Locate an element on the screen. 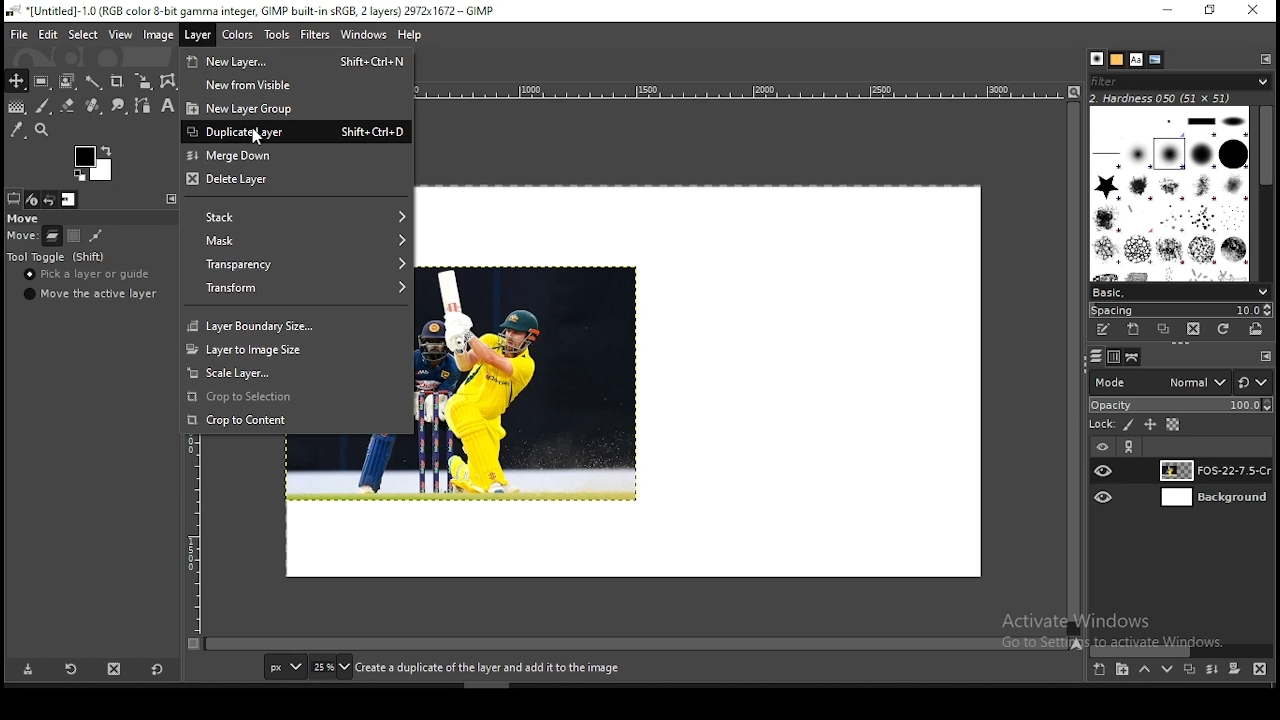 The width and height of the screenshot is (1280, 720). fonts is located at coordinates (1137, 59).